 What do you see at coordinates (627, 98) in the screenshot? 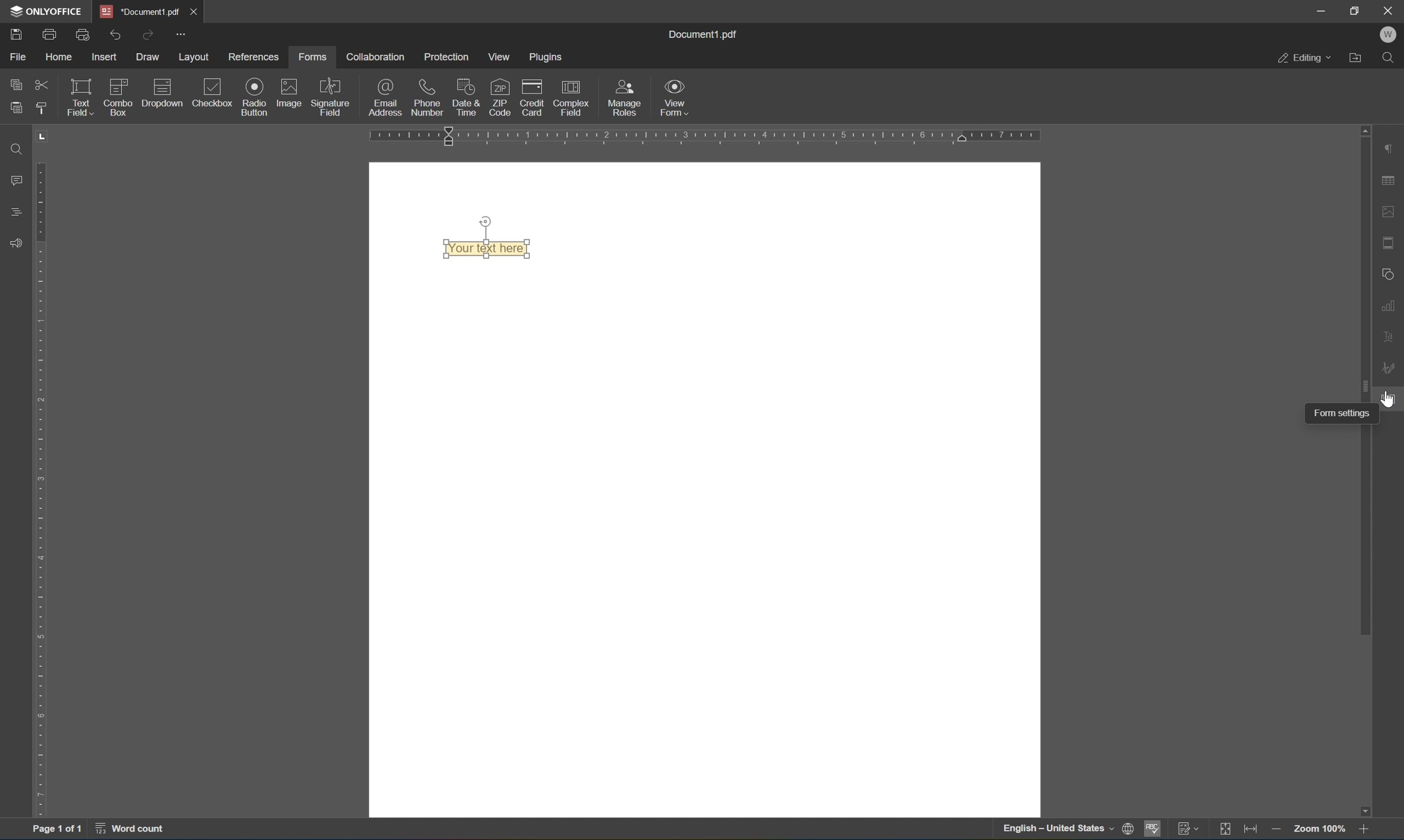
I see `manage roles` at bounding box center [627, 98].